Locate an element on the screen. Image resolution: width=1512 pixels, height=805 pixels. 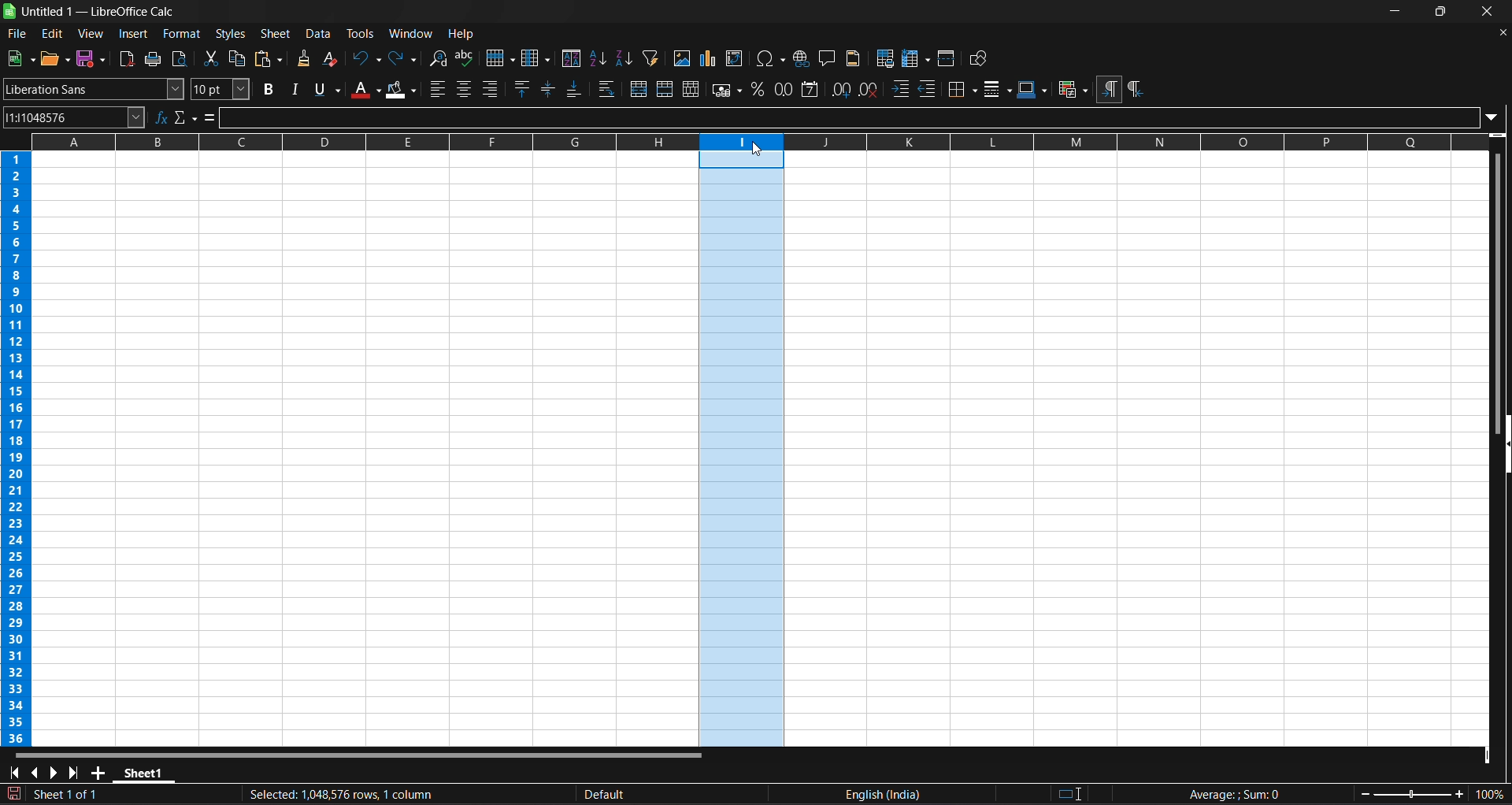
decrease indent is located at coordinates (928, 88).